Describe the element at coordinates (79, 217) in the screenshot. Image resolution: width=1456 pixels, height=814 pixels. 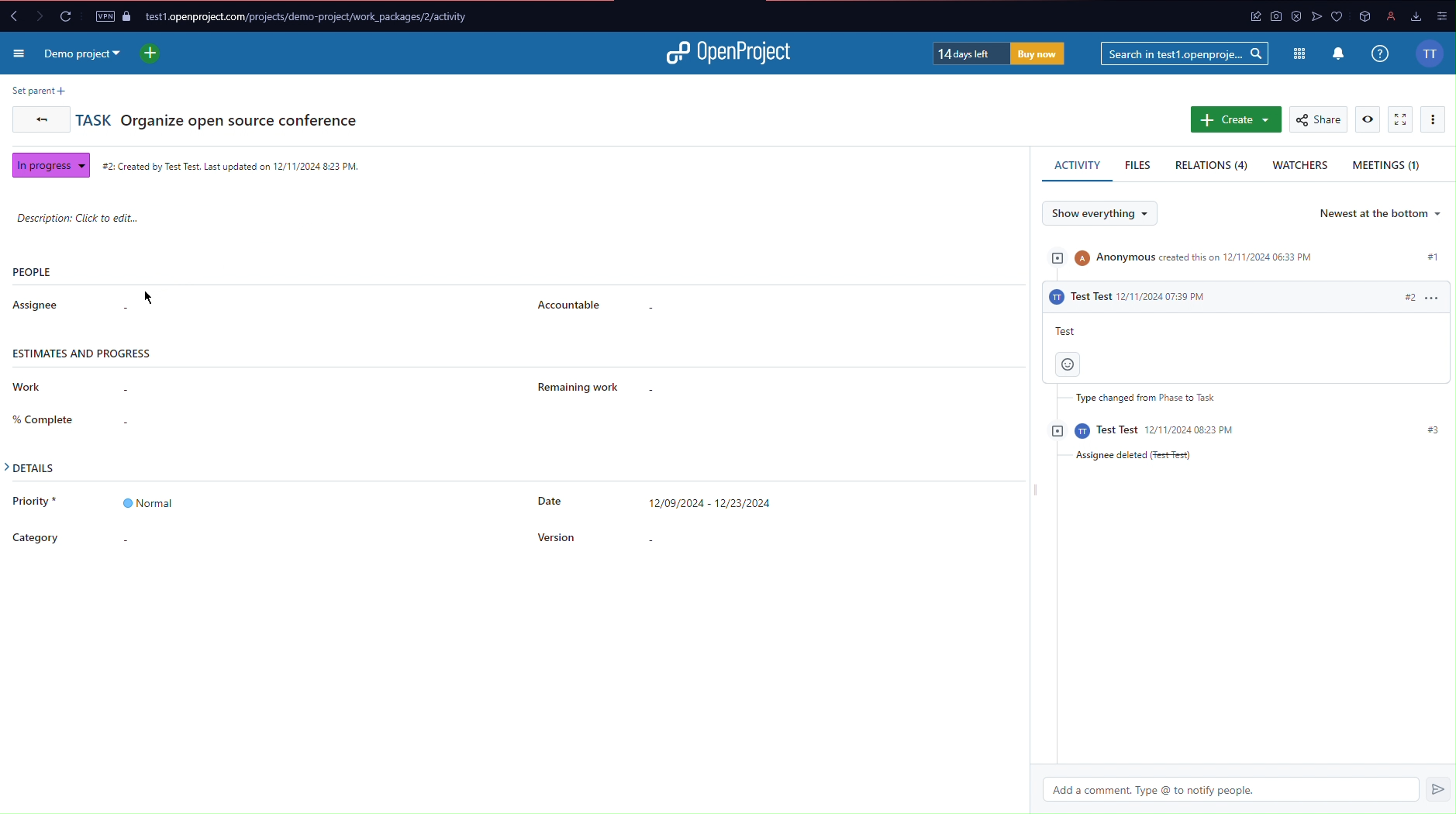
I see `Description` at that location.